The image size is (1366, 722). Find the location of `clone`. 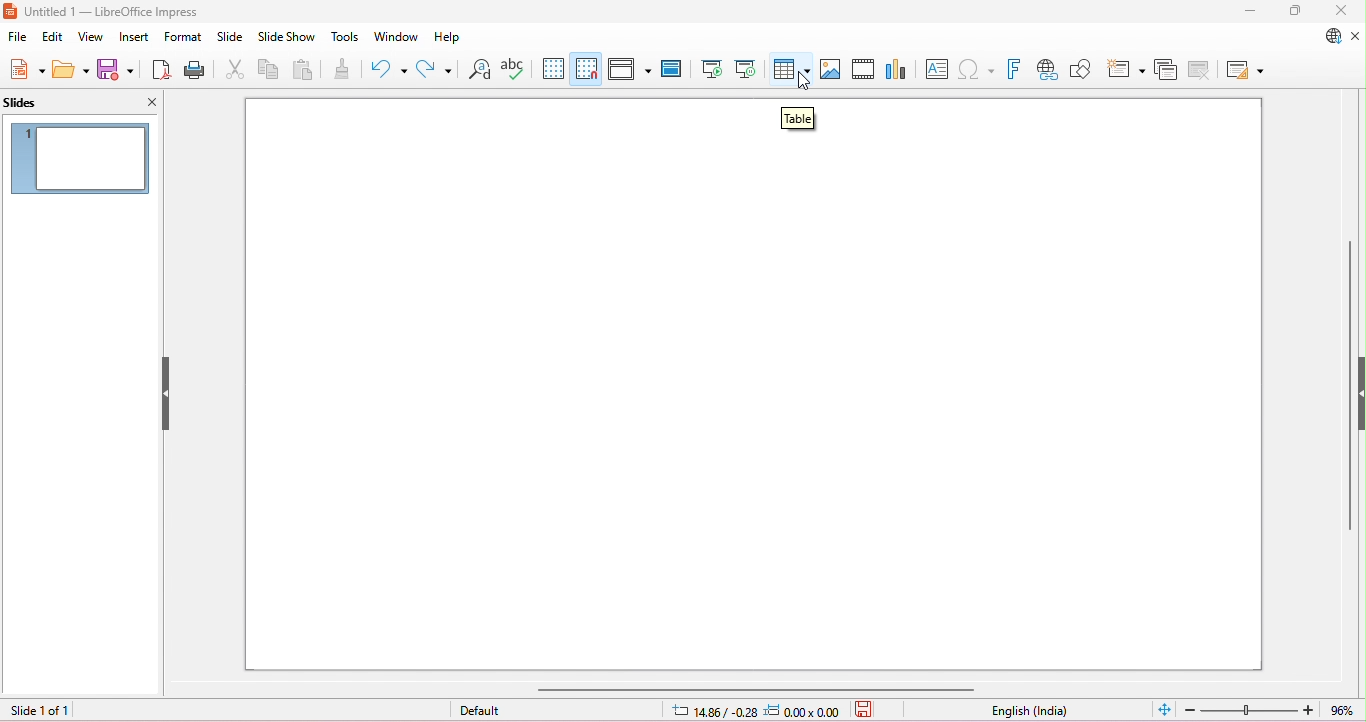

clone is located at coordinates (342, 68).